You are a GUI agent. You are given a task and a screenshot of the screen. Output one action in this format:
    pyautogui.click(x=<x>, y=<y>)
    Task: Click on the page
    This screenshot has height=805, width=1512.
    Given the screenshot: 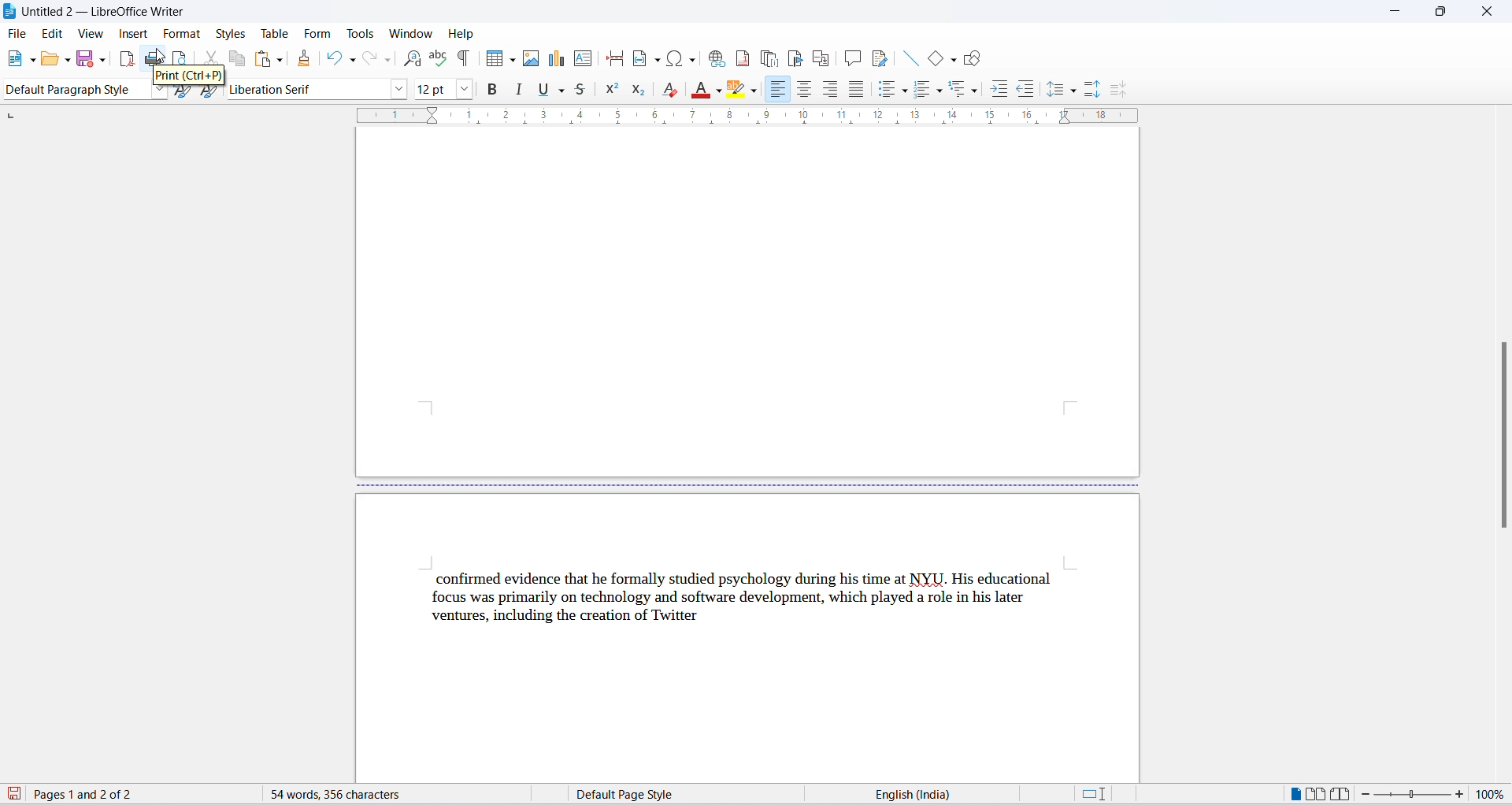 What is the action you would take?
    pyautogui.click(x=746, y=302)
    